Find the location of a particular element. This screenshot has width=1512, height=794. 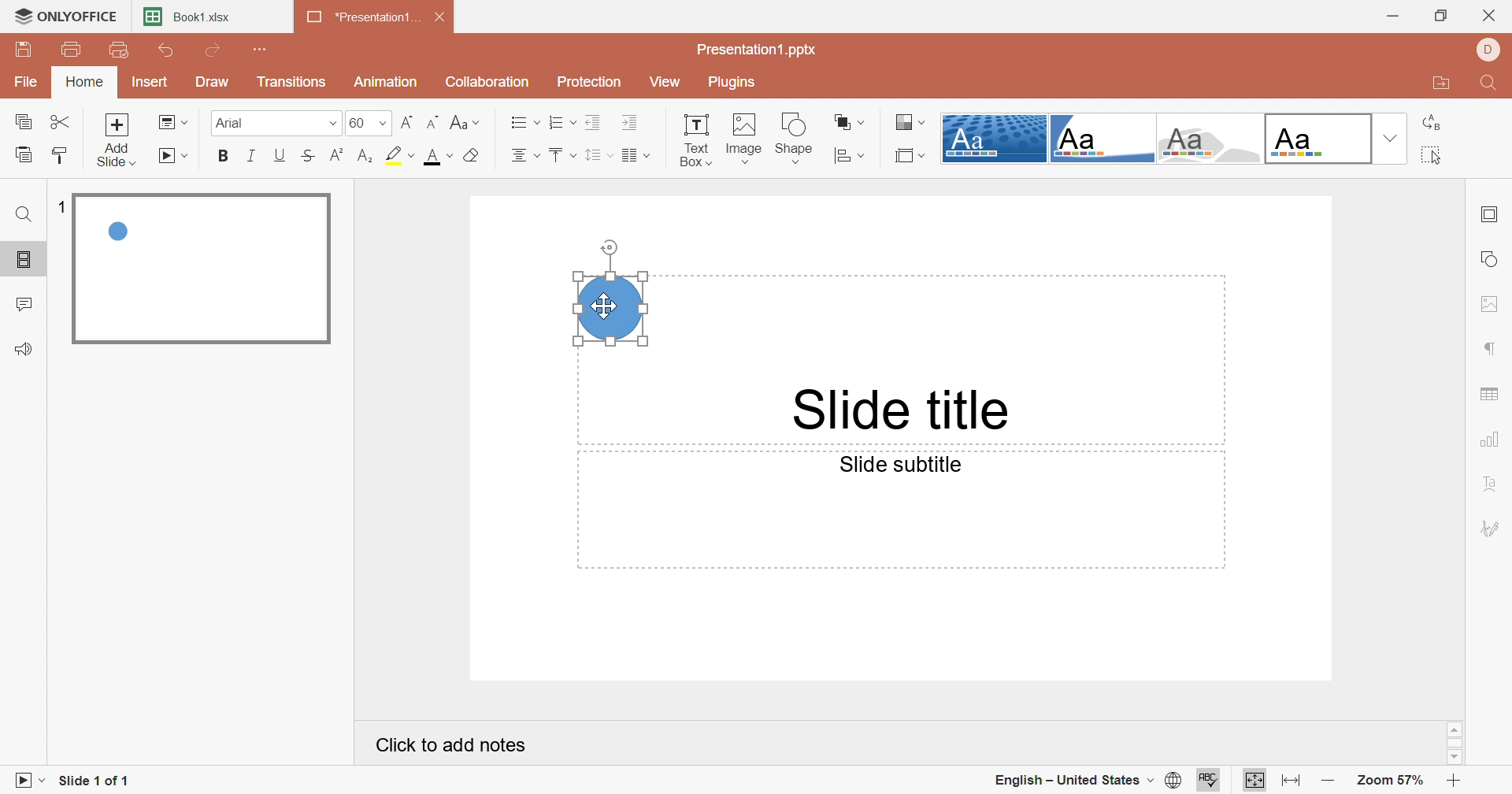

Slide subtitle is located at coordinates (903, 464).